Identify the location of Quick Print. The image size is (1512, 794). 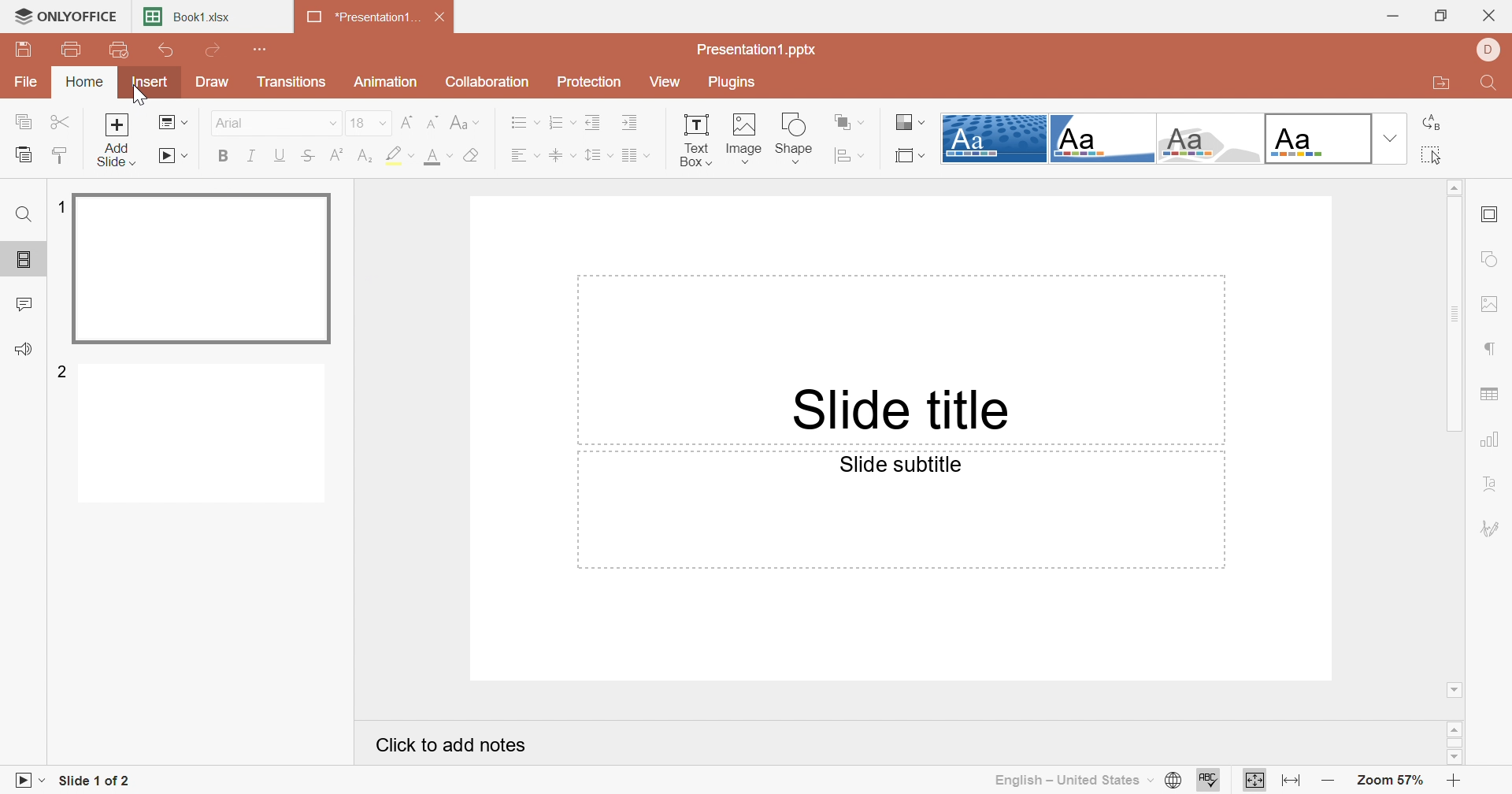
(115, 50).